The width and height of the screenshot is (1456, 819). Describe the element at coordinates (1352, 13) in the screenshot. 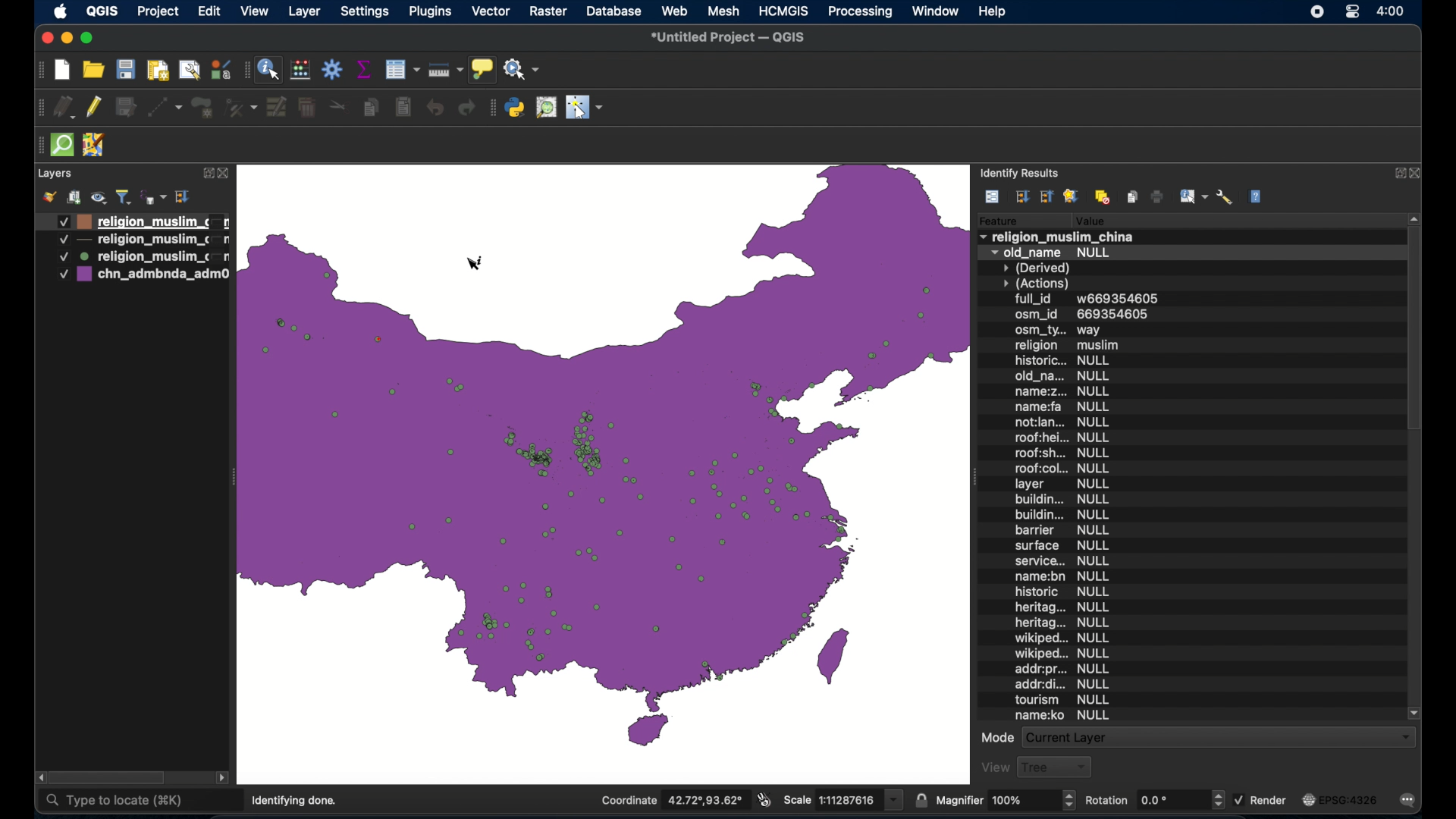

I see `control center` at that location.